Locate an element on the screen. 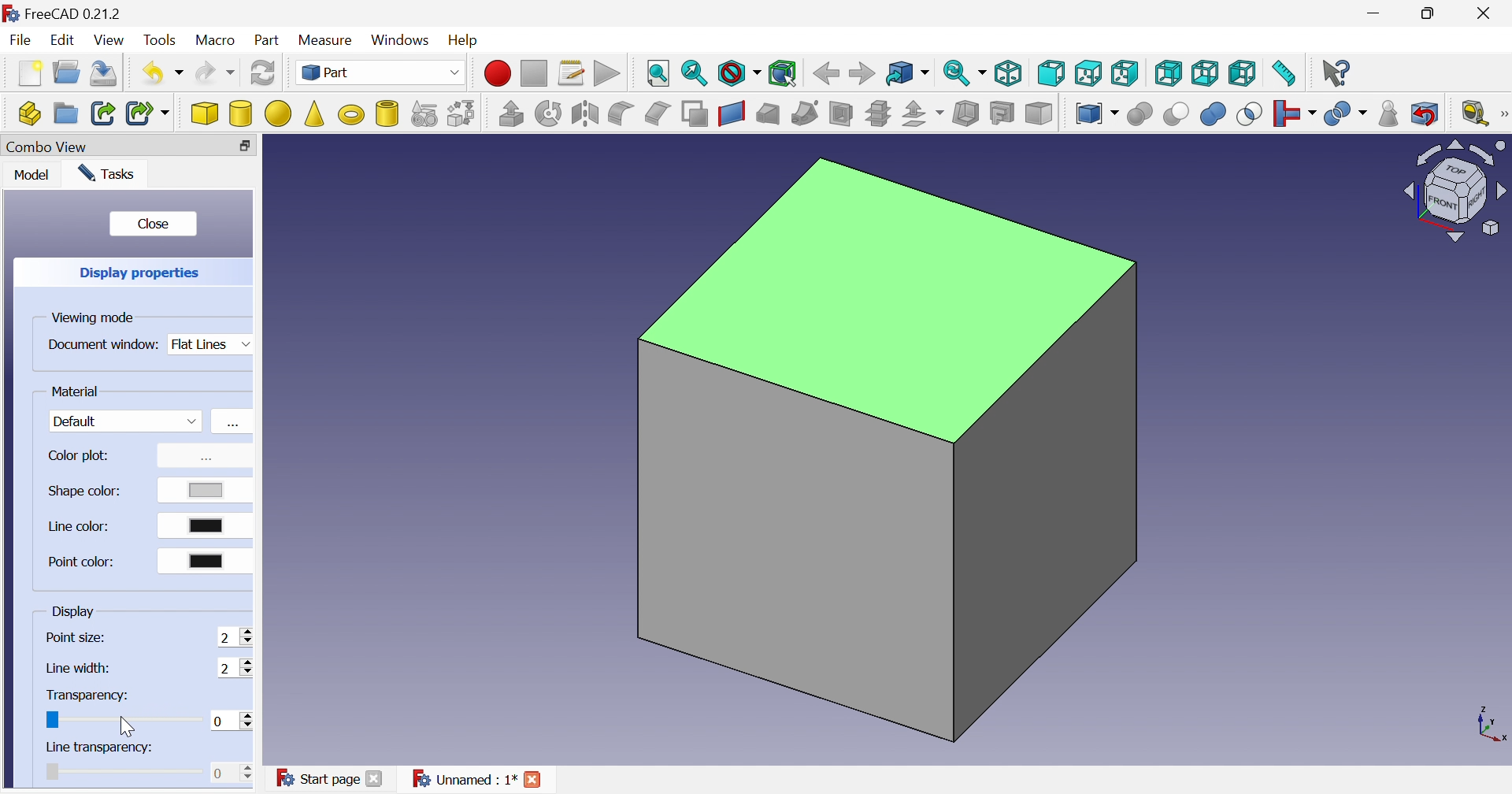 This screenshot has width=1512, height=794. Line transparency is located at coordinates (99, 748).